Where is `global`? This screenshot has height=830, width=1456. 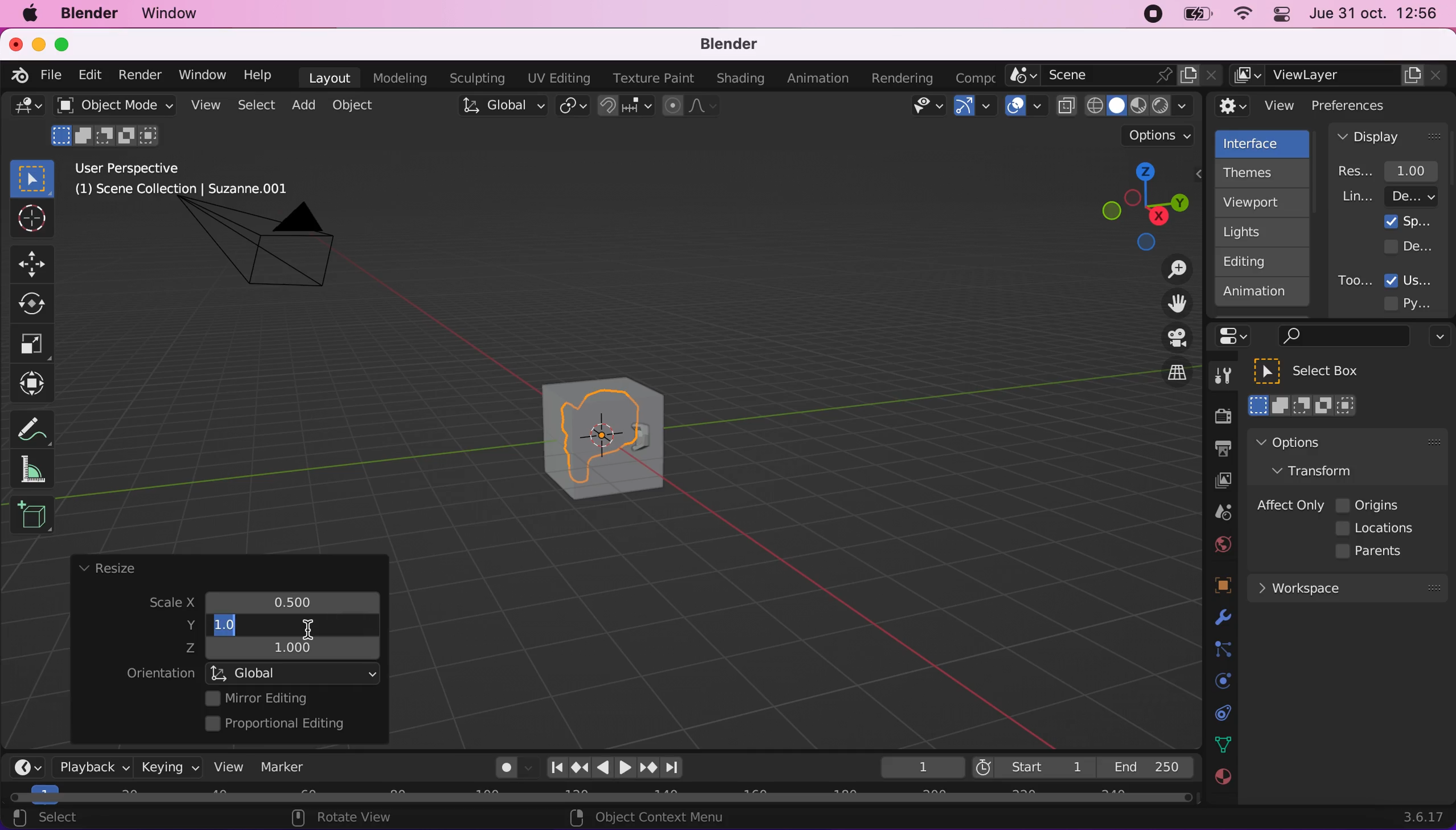
global is located at coordinates (295, 673).